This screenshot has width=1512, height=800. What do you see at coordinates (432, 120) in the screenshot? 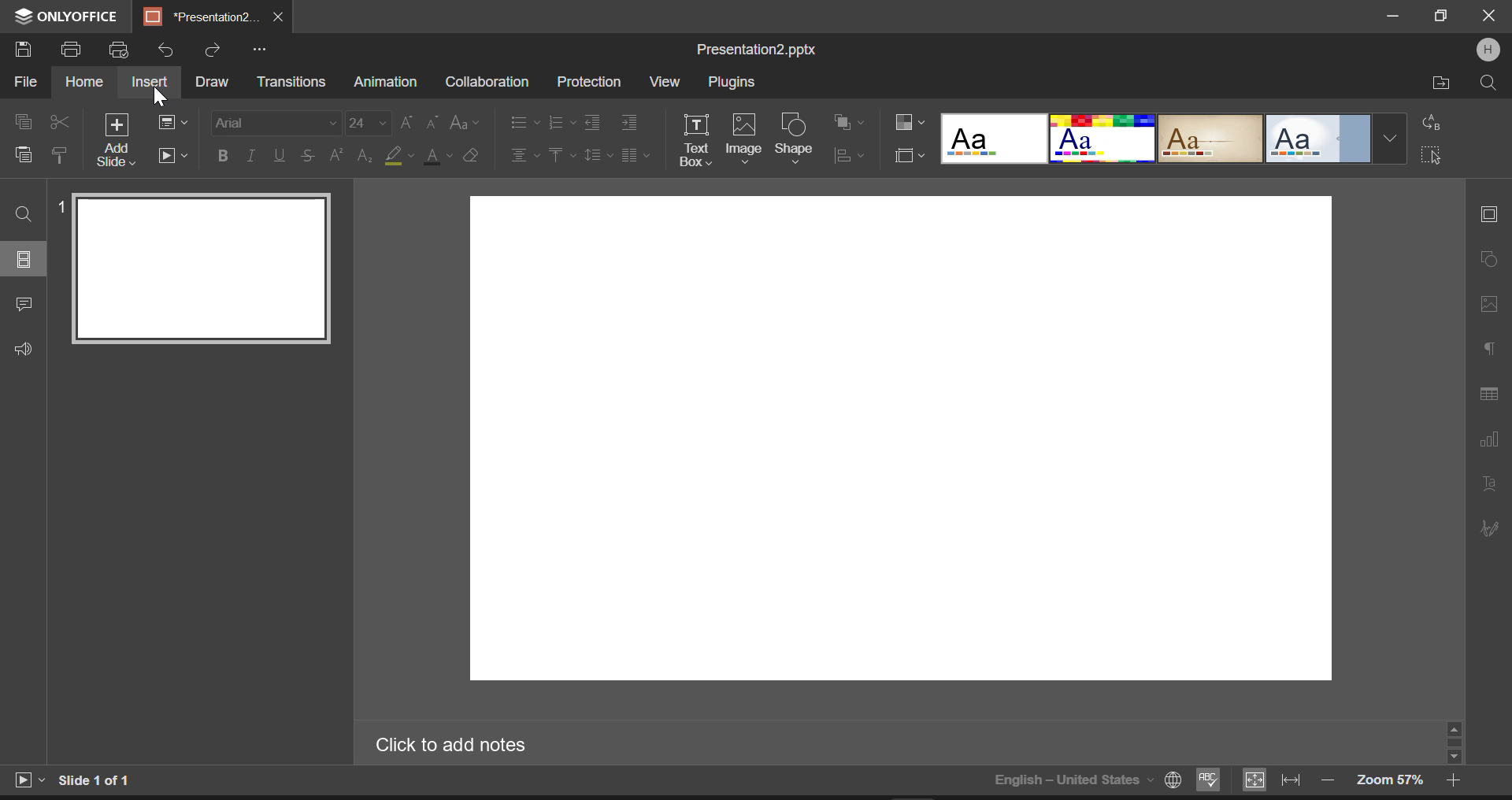
I see `Decrease Font Size` at bounding box center [432, 120].